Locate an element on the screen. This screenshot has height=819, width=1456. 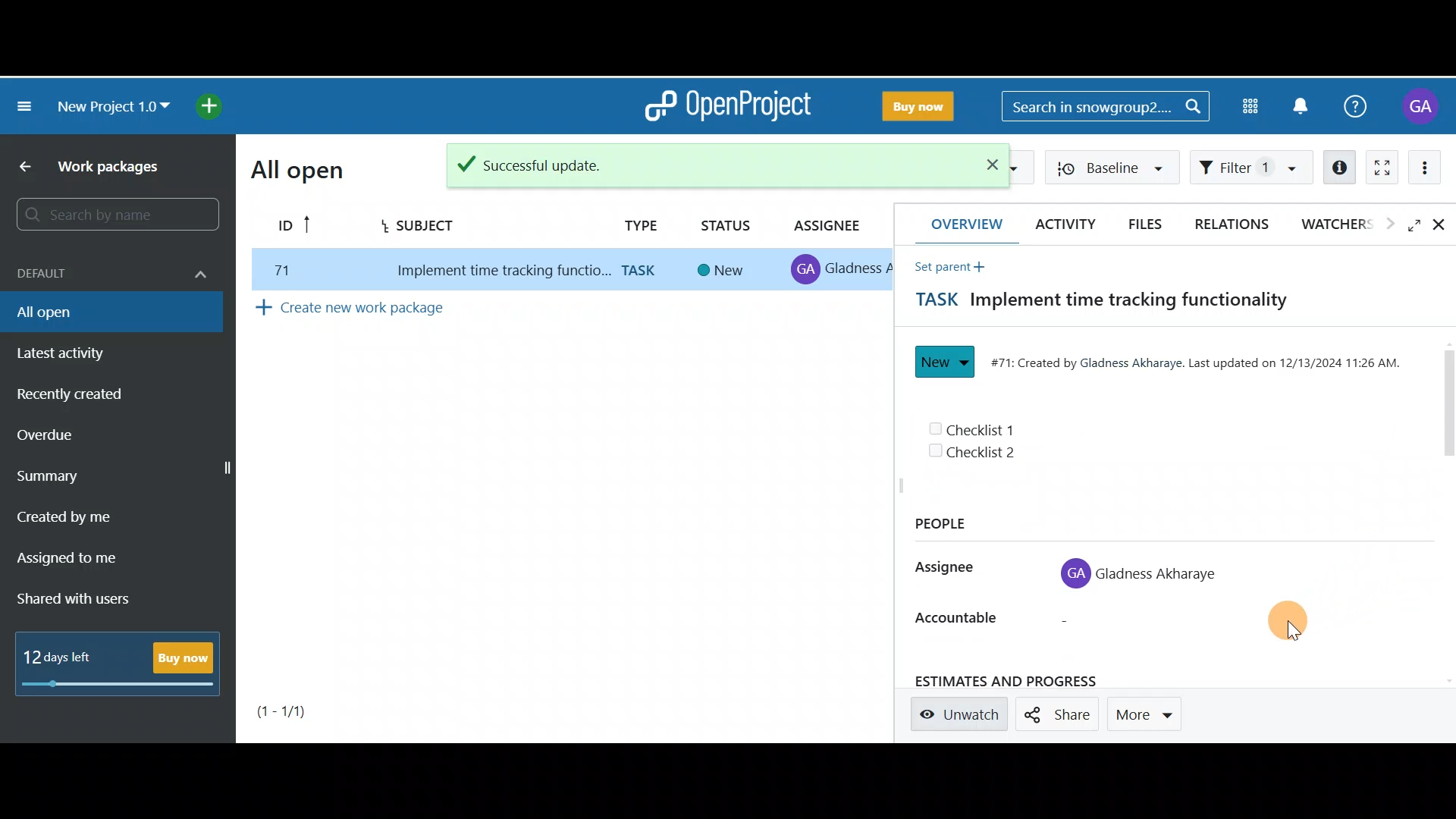
Baseline is located at coordinates (1119, 168).